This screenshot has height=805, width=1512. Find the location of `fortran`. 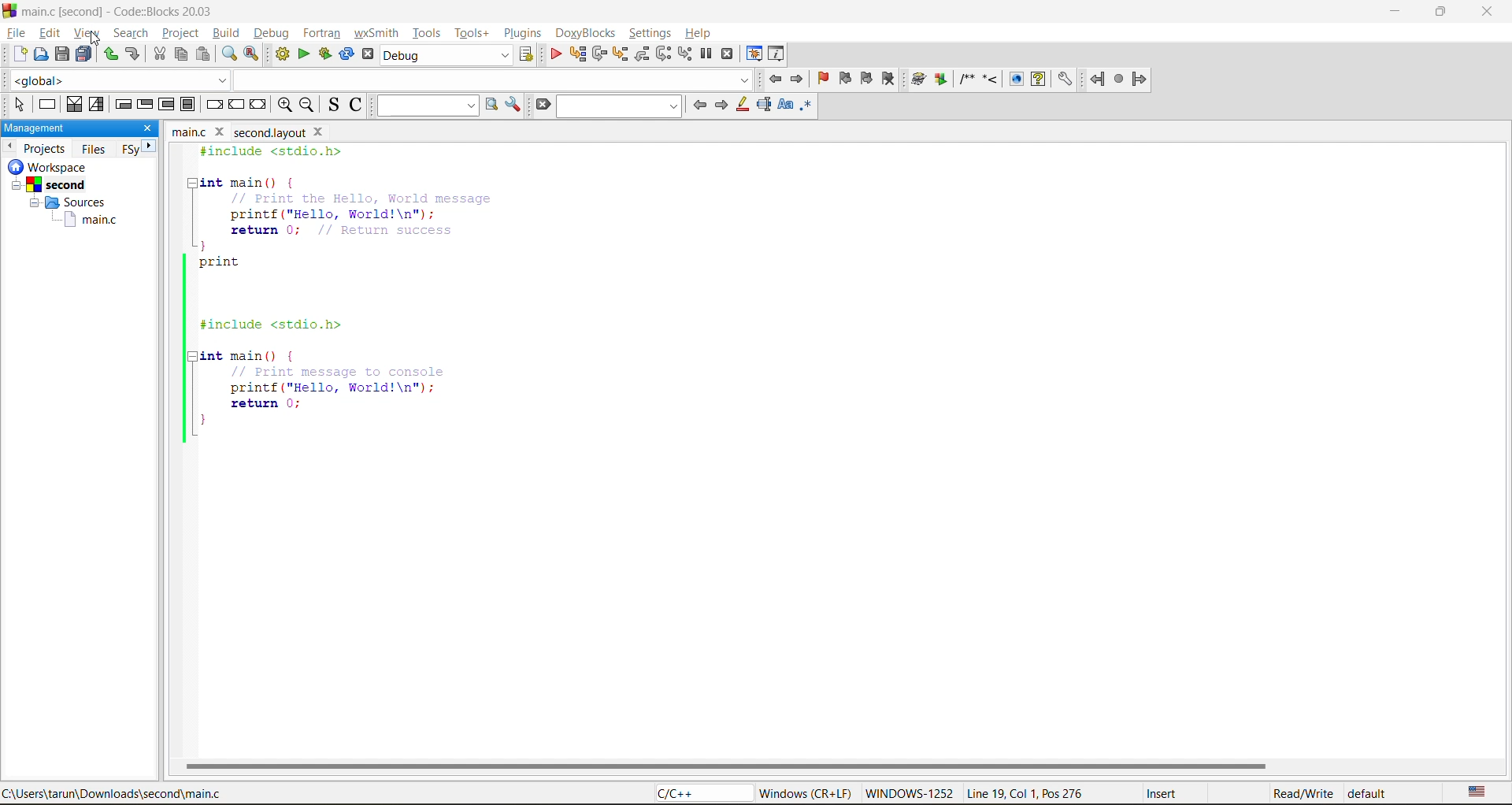

fortran is located at coordinates (1119, 81).